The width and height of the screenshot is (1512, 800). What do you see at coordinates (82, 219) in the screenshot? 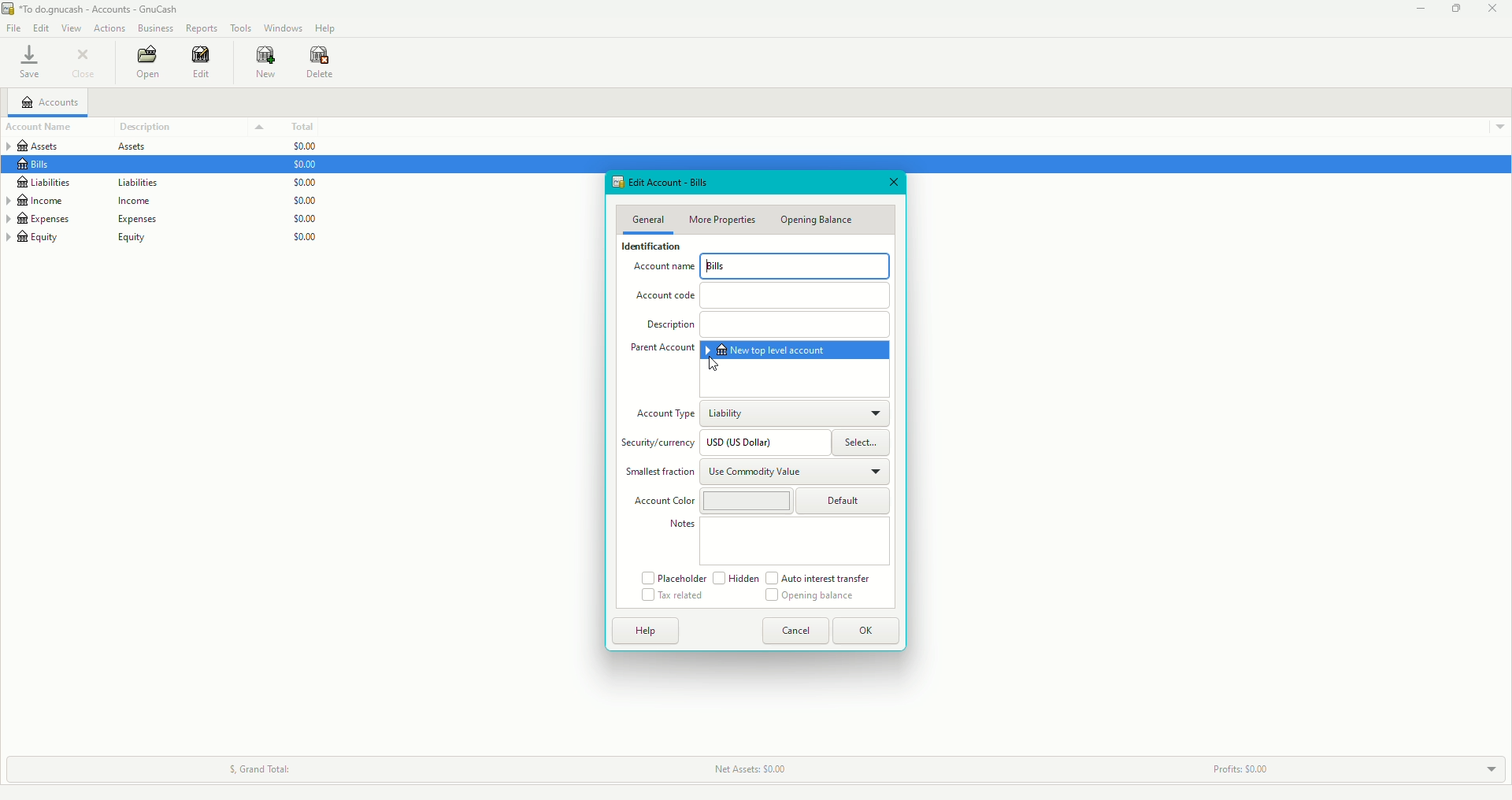
I see `Expenses` at bounding box center [82, 219].